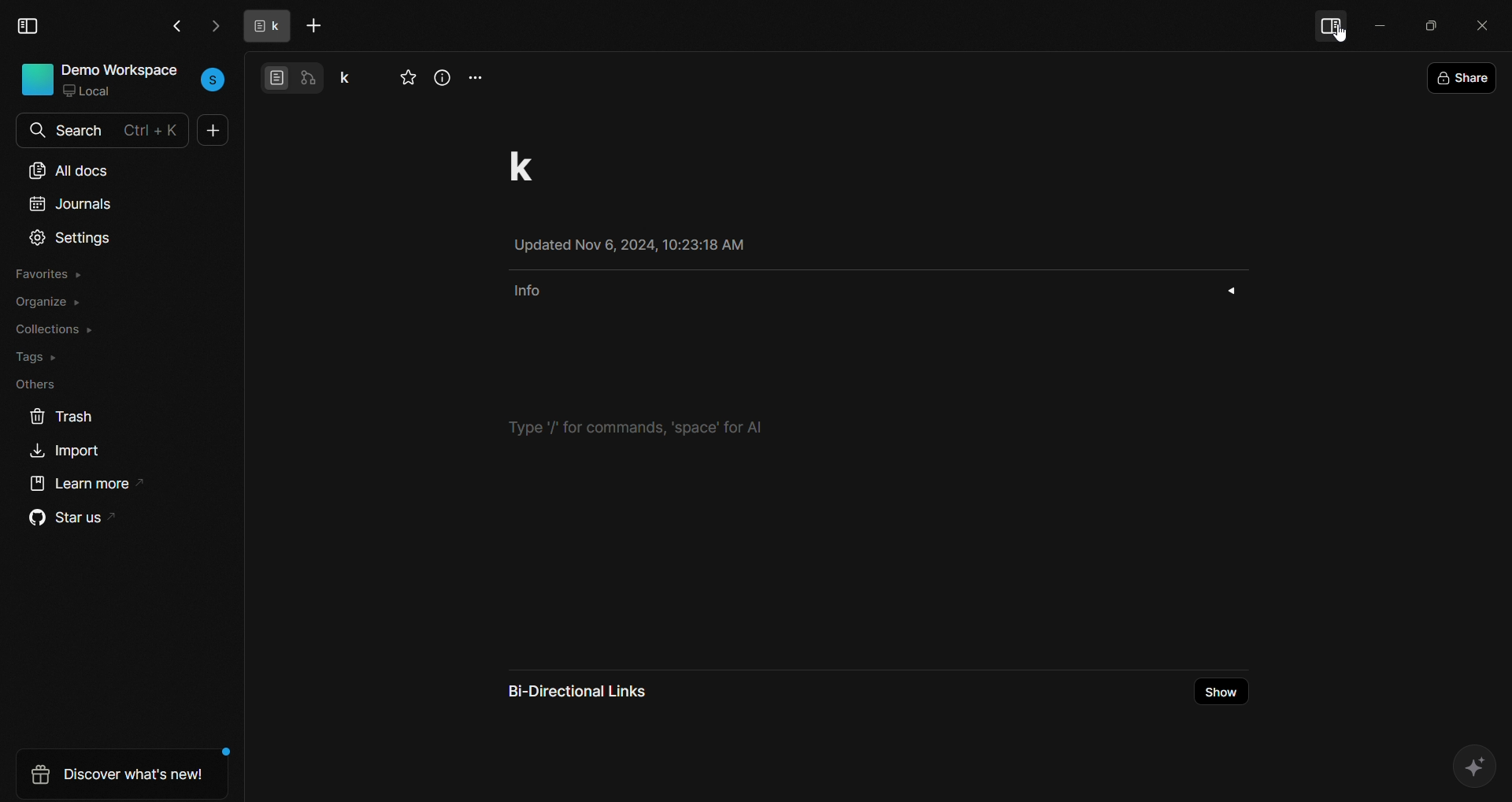 Image resolution: width=1512 pixels, height=802 pixels. Describe the element at coordinates (353, 76) in the screenshot. I see `project name` at that location.